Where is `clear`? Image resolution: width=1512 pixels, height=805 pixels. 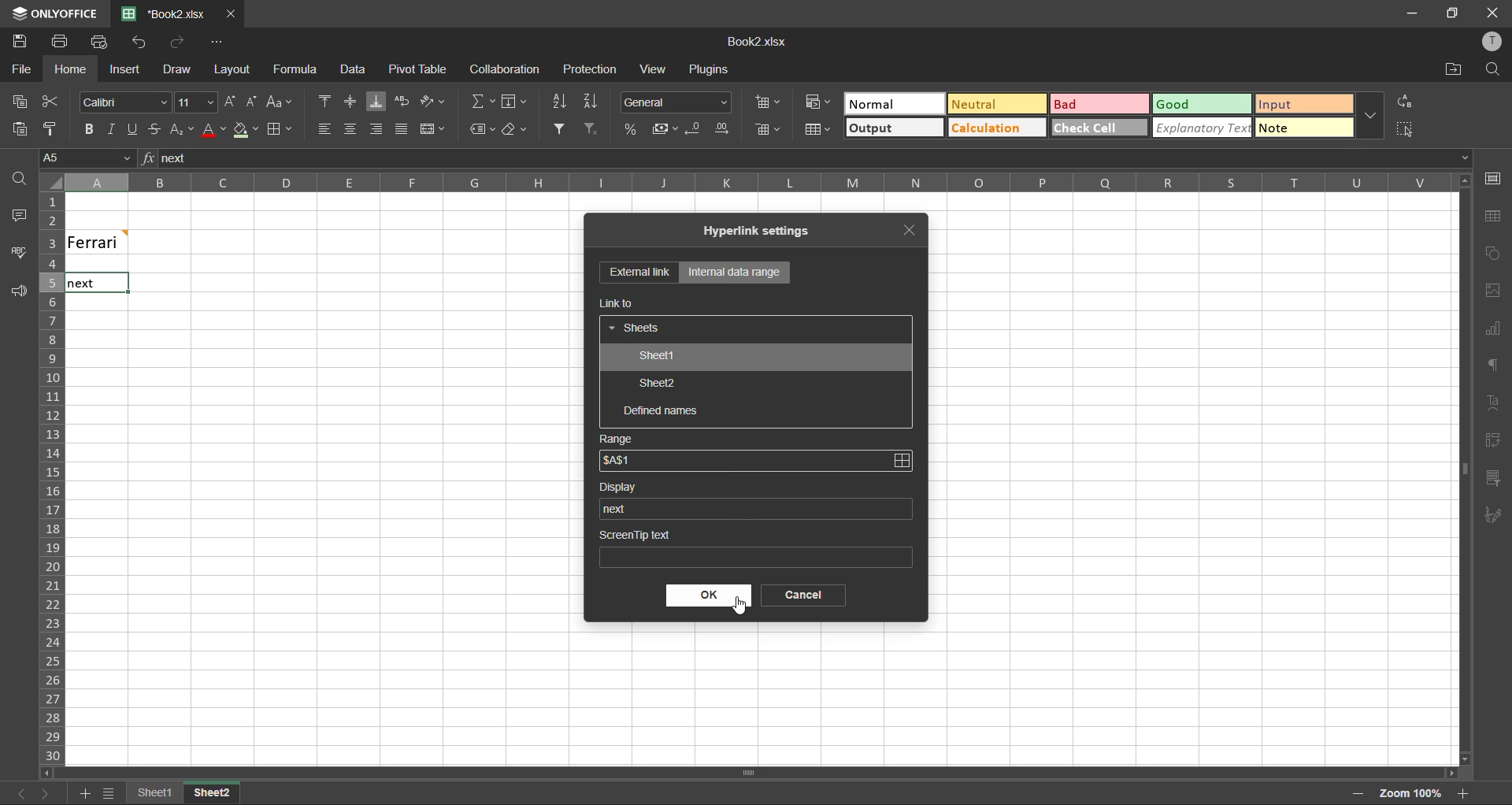 clear is located at coordinates (516, 131).